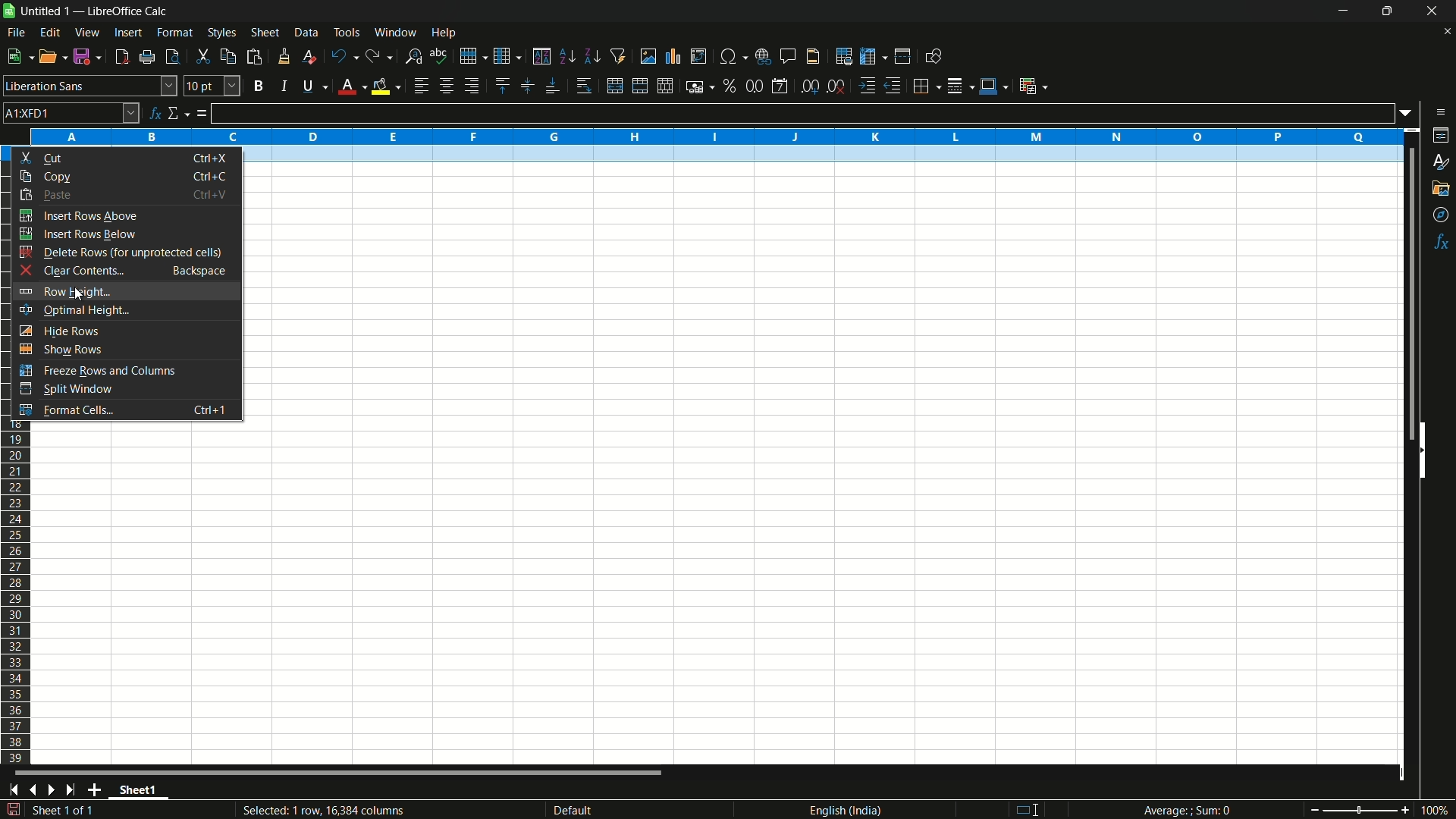 This screenshot has width=1456, height=819. I want to click on add decimal place, so click(812, 87).